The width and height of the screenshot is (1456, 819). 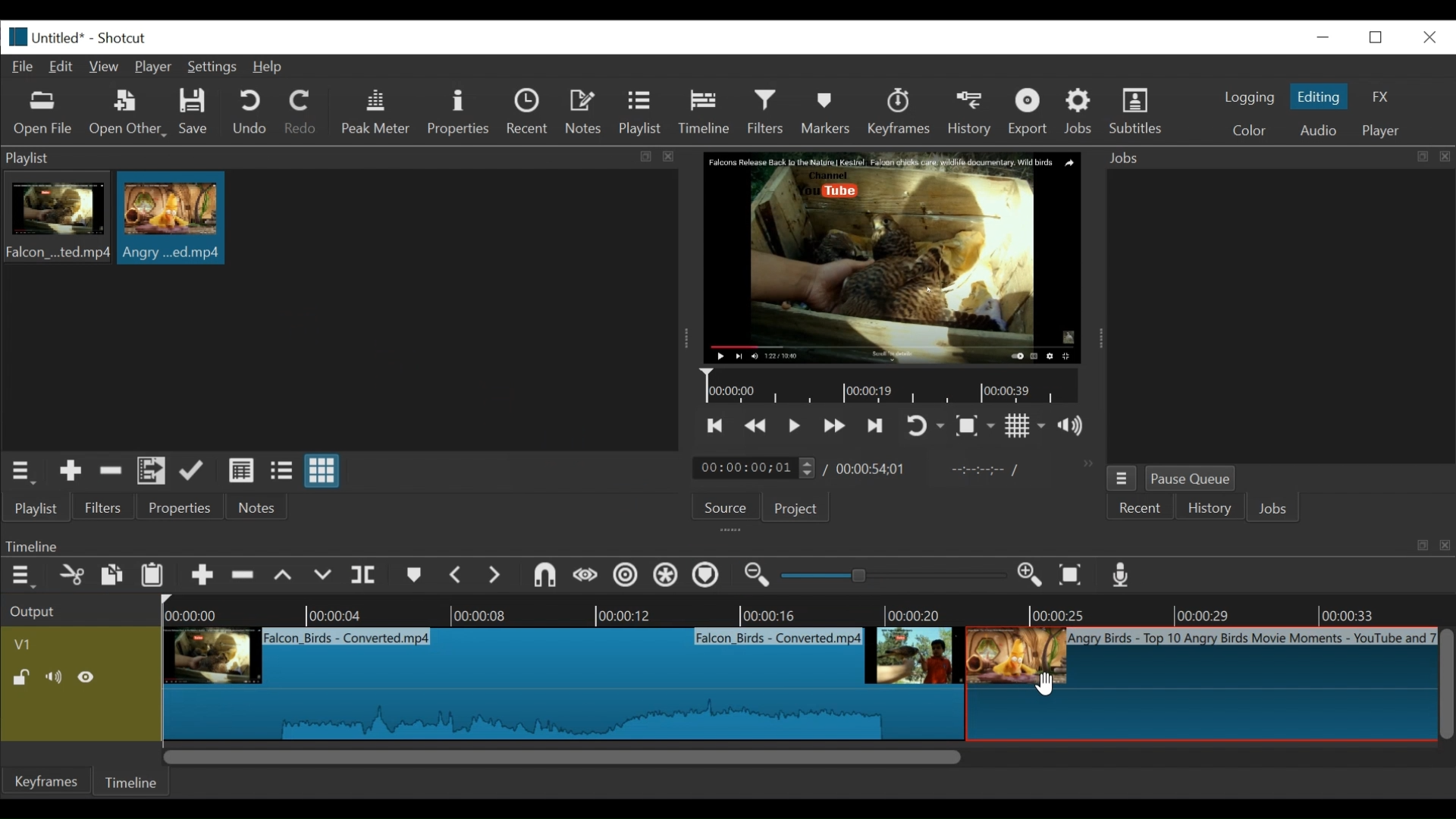 I want to click on Timeline menu, so click(x=25, y=576).